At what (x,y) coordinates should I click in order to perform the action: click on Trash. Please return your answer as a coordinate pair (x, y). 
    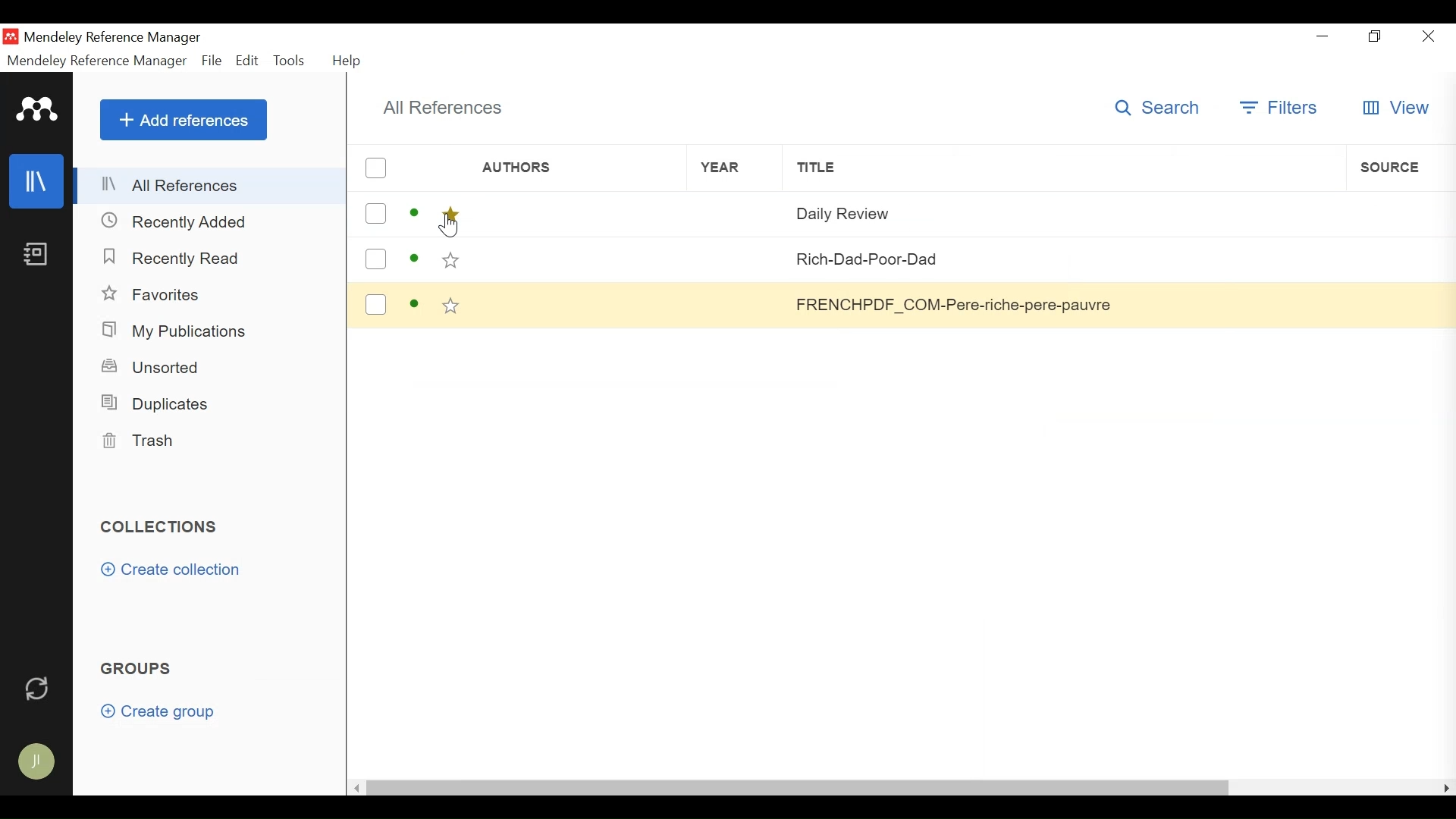
    Looking at the image, I should click on (142, 441).